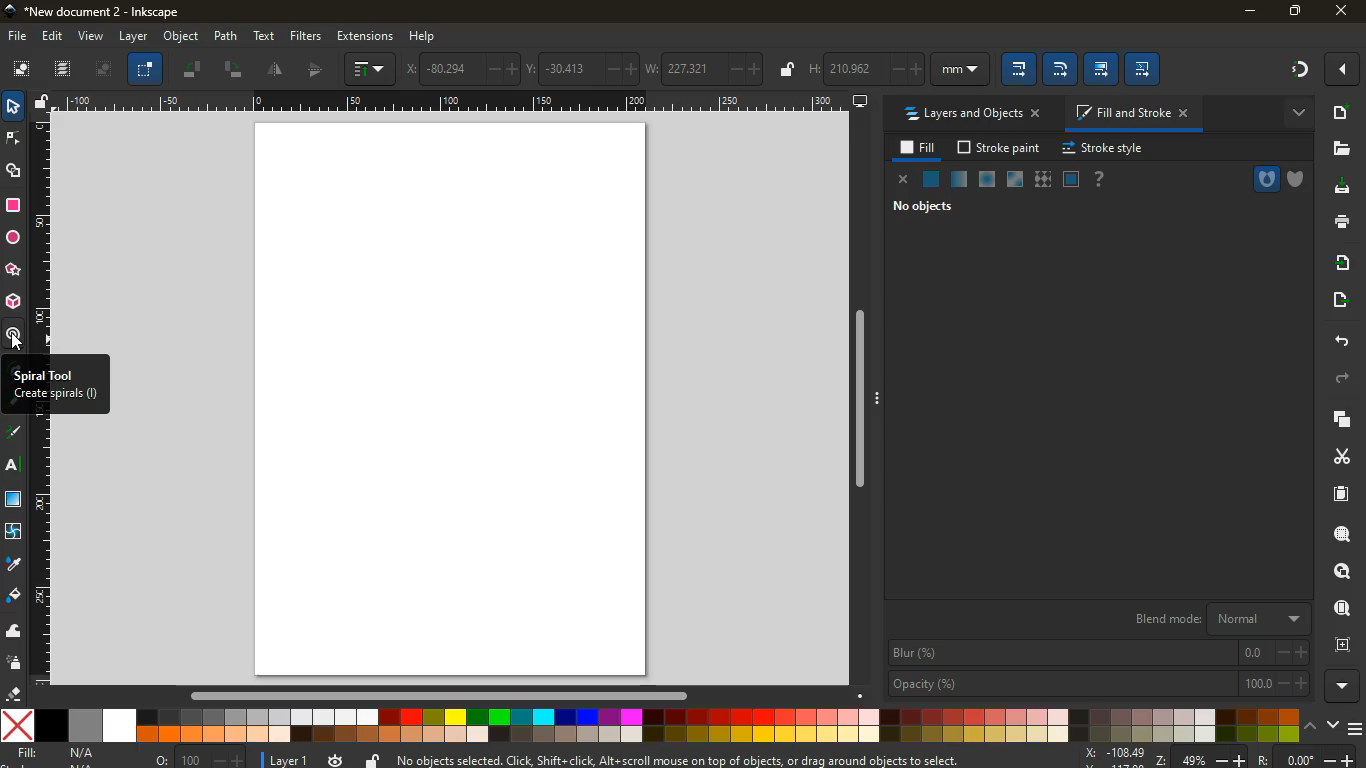 The image size is (1366, 768). What do you see at coordinates (180, 36) in the screenshot?
I see `object` at bounding box center [180, 36].